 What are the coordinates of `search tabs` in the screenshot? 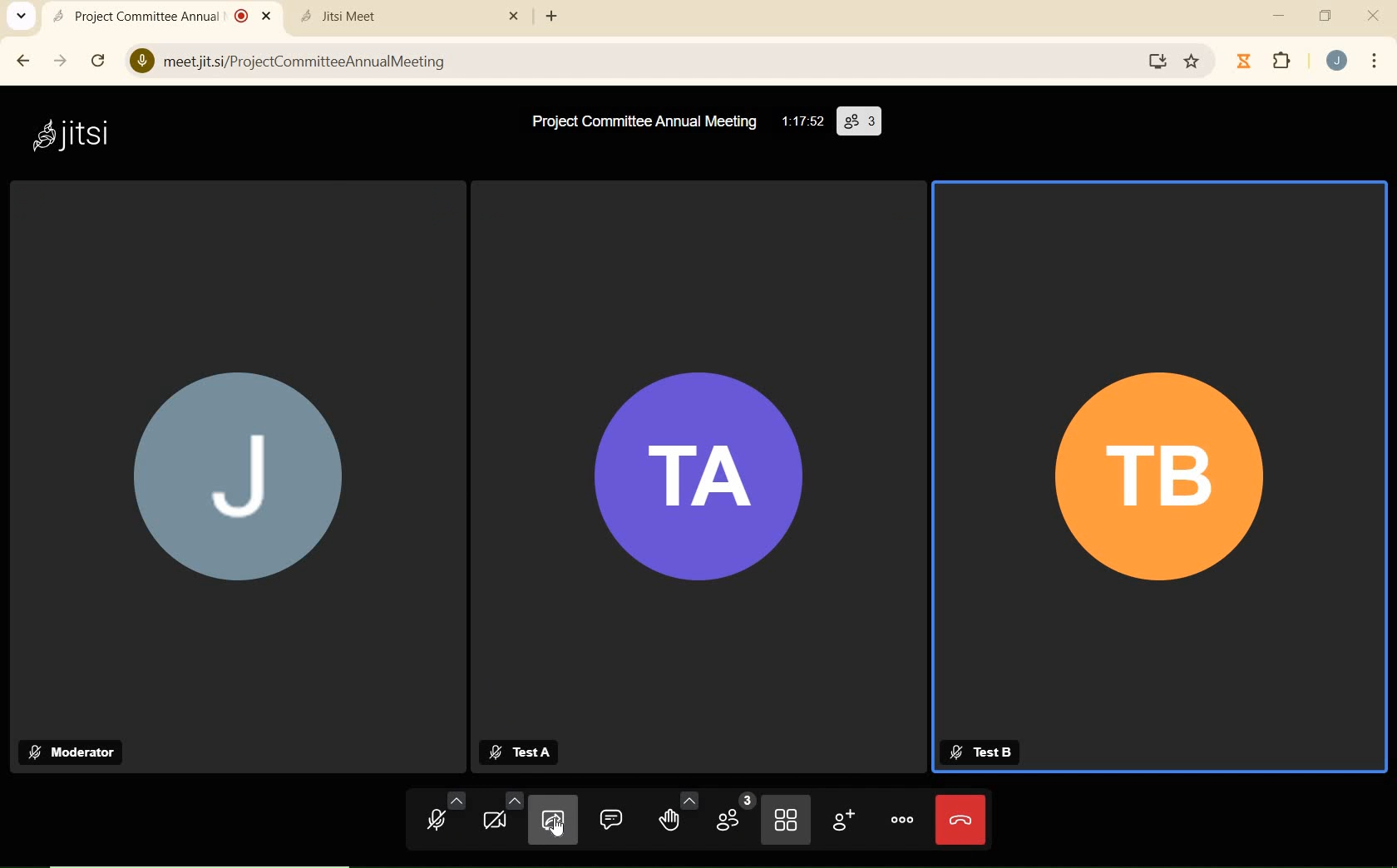 It's located at (23, 17).